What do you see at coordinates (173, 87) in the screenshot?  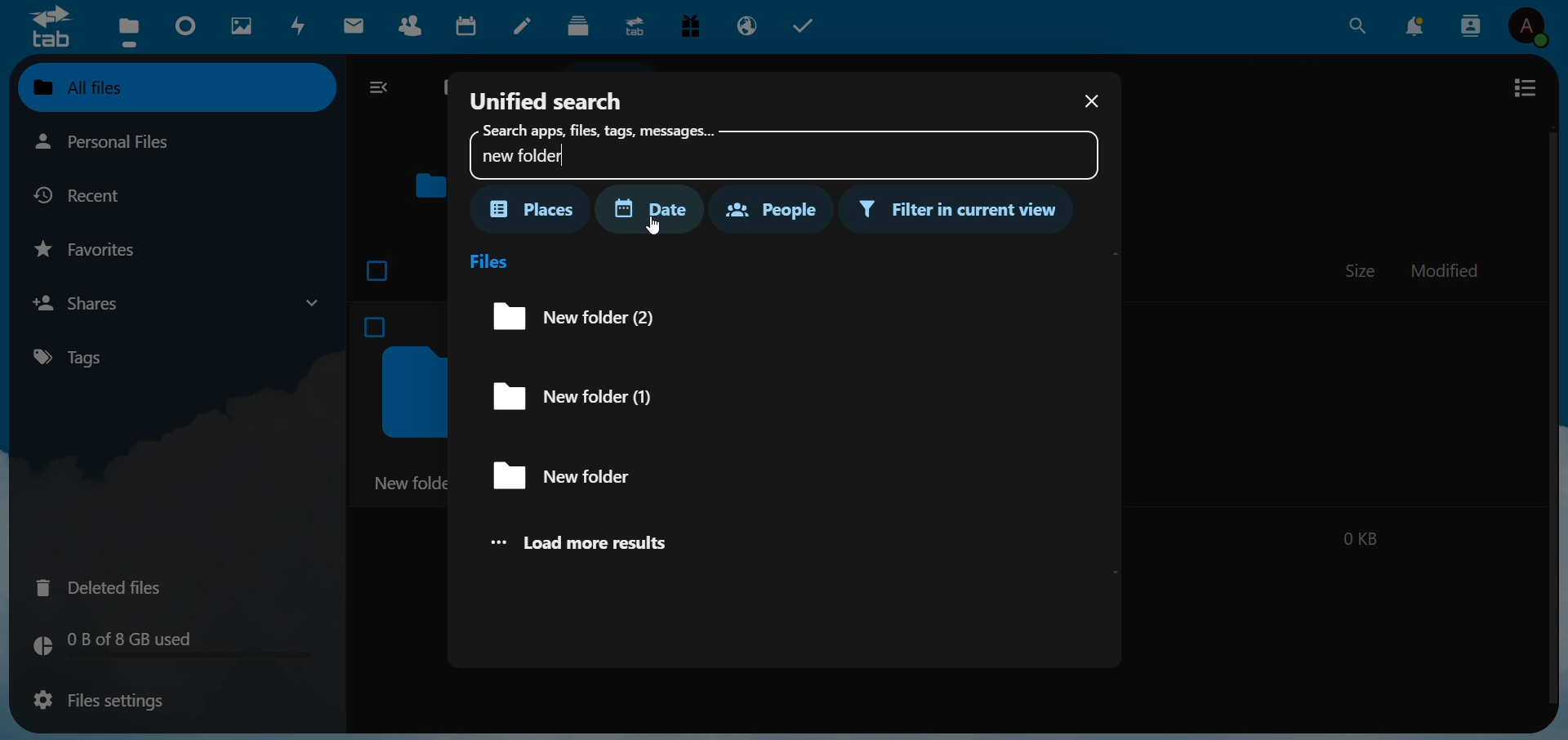 I see `all files` at bounding box center [173, 87].